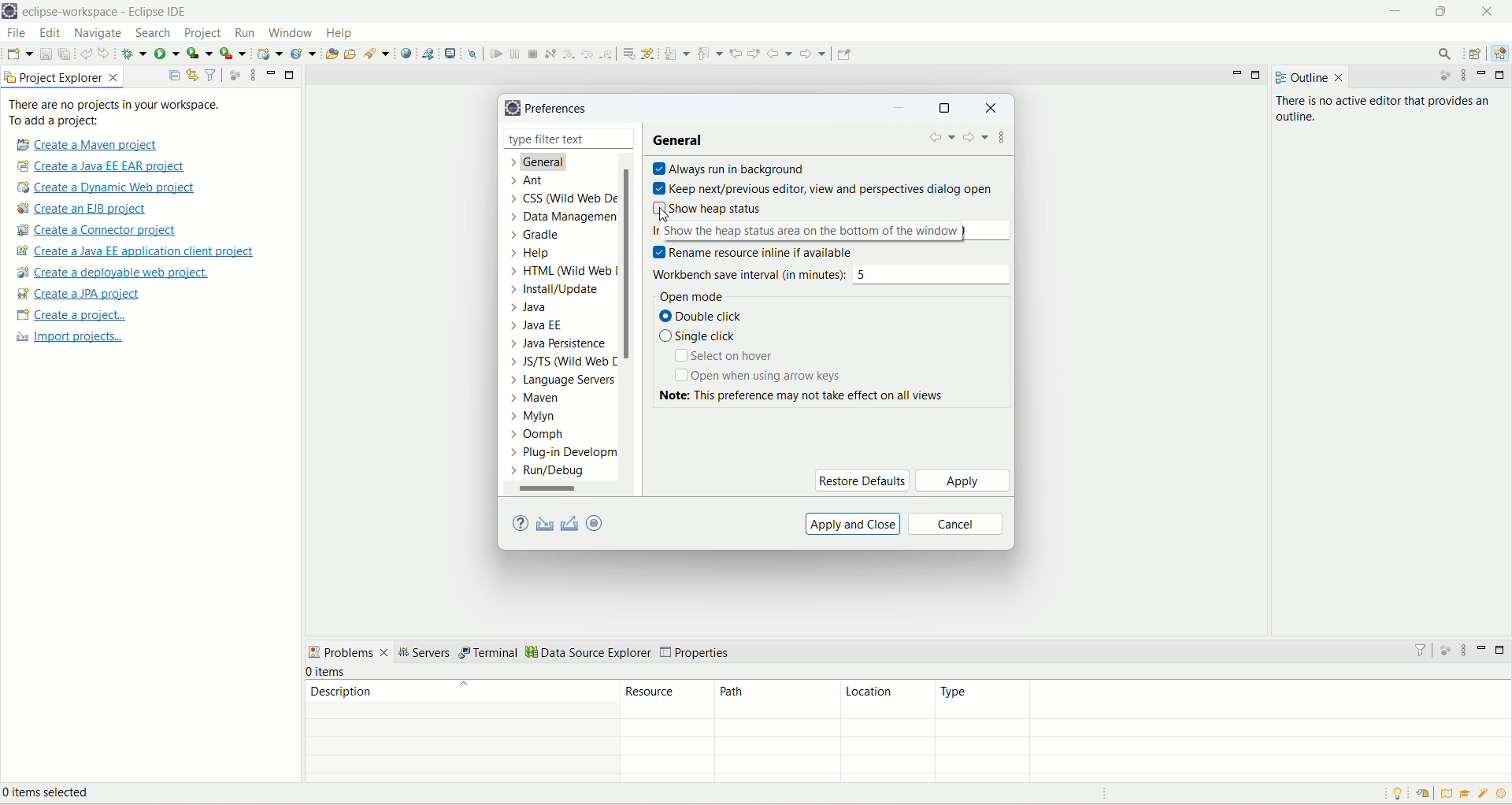 The image size is (1512, 805). What do you see at coordinates (212, 74) in the screenshot?
I see `select and deselect filters` at bounding box center [212, 74].